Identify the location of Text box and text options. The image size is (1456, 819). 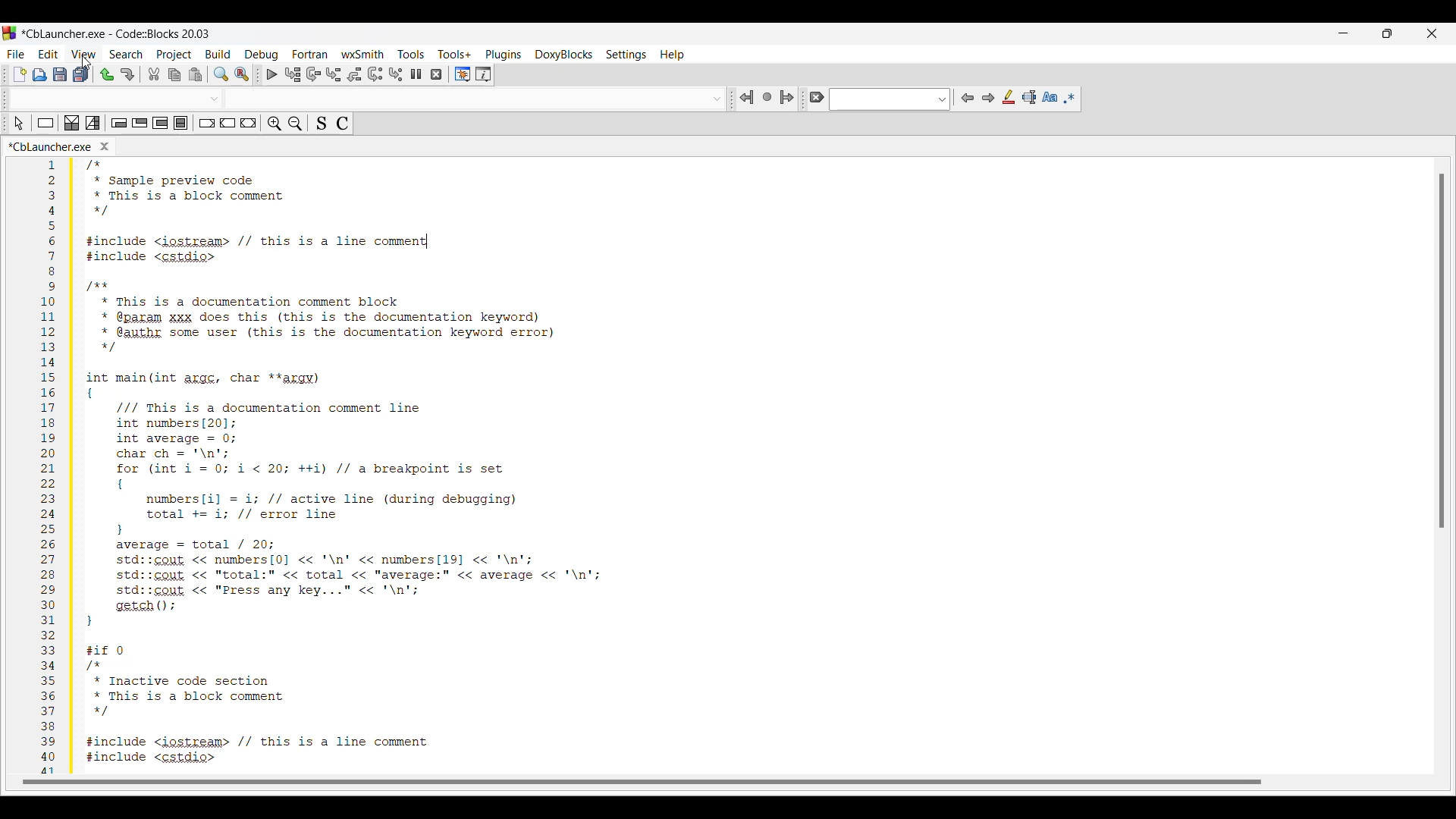
(890, 99).